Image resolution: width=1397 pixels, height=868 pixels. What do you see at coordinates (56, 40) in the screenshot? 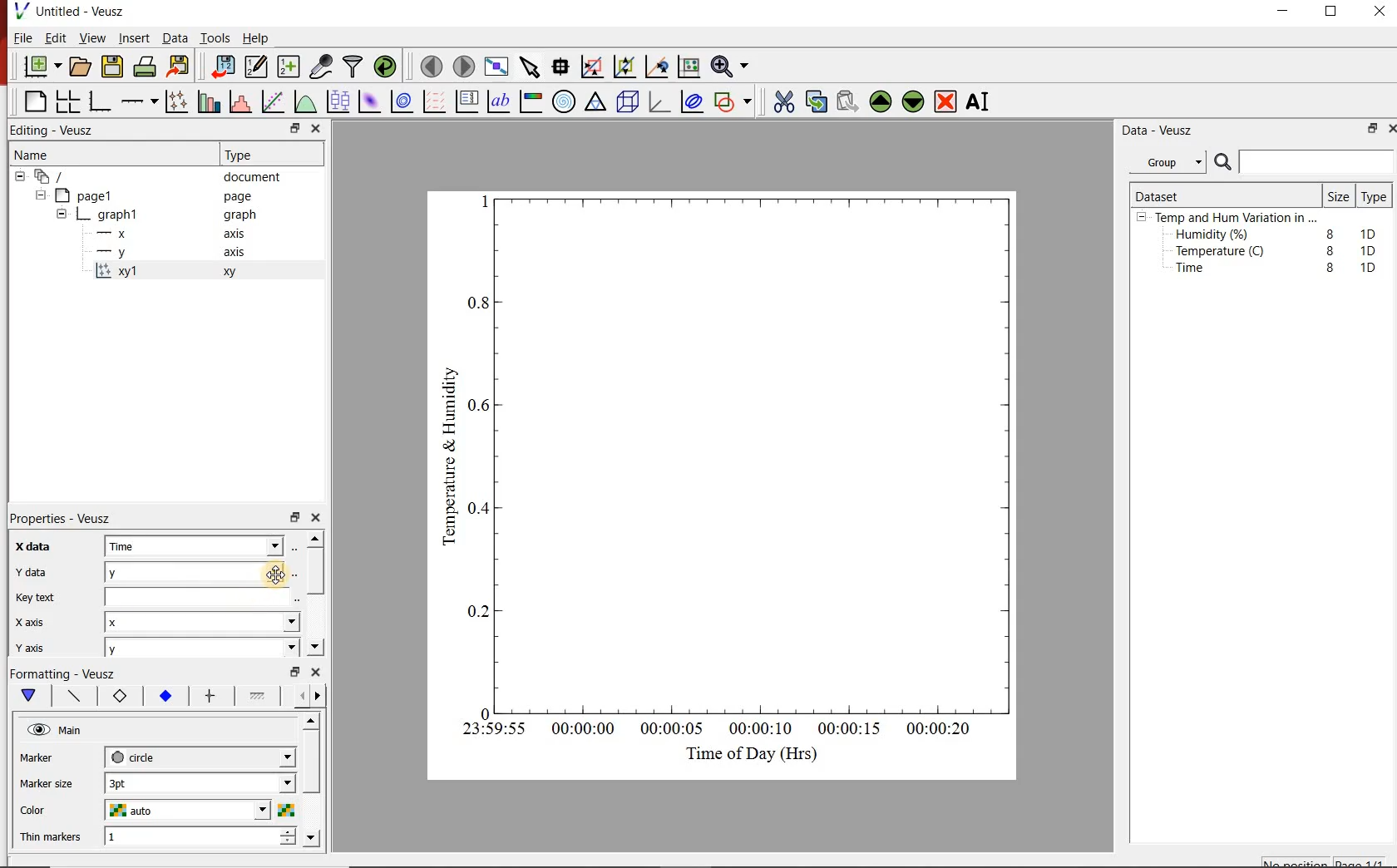
I see `Edit` at bounding box center [56, 40].